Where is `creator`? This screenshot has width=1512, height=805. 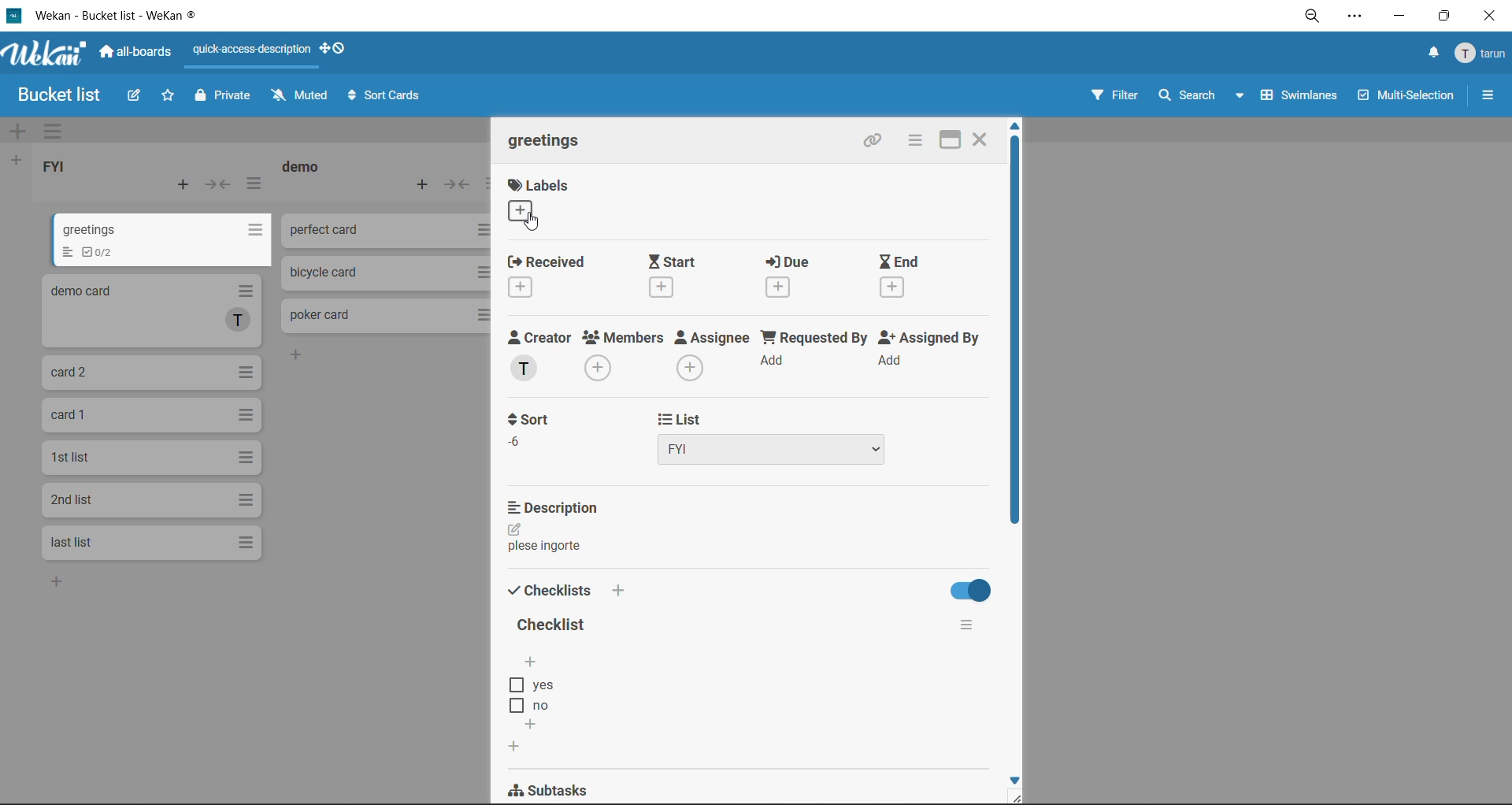
creator is located at coordinates (540, 355).